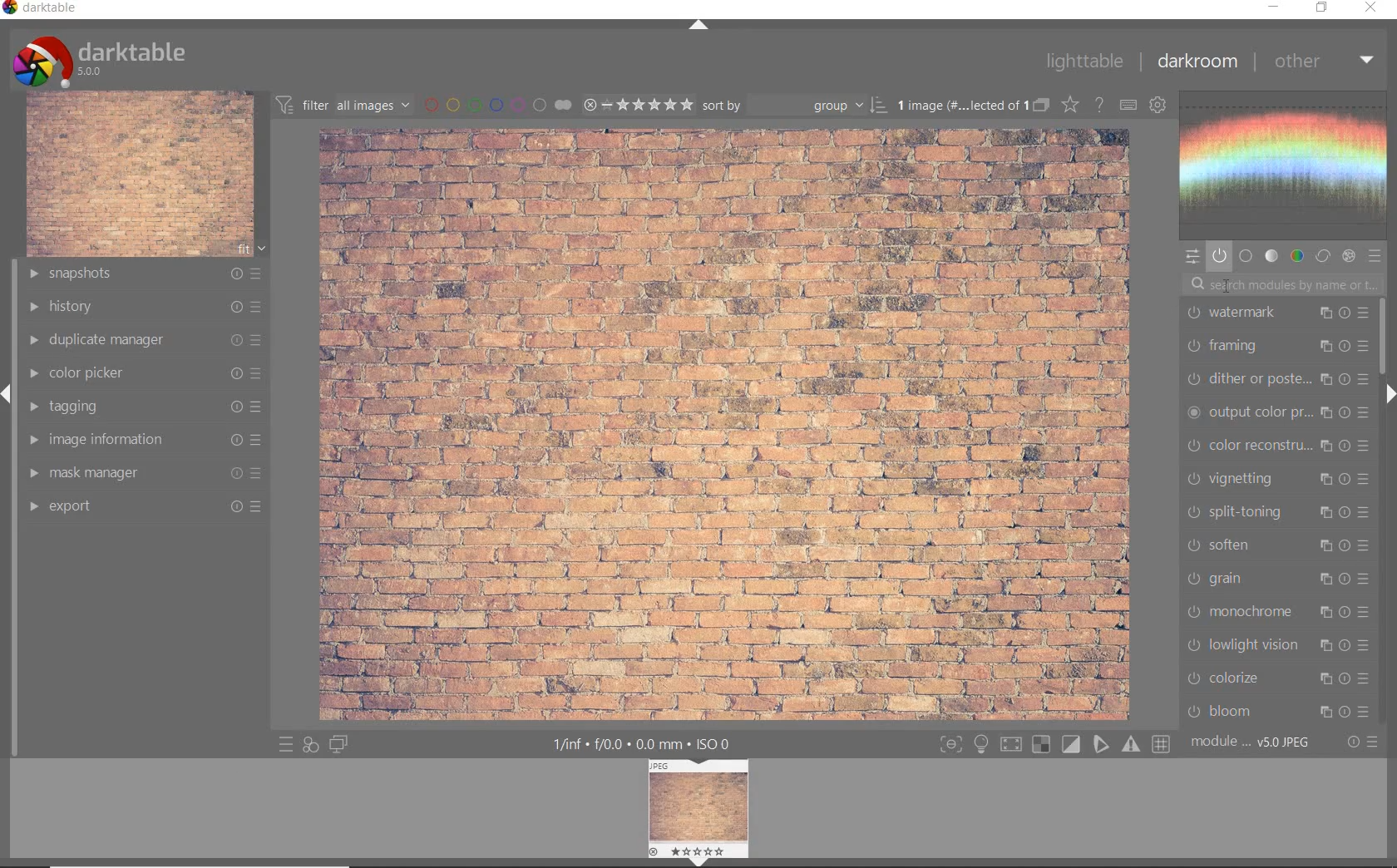  Describe the element at coordinates (1281, 581) in the screenshot. I see `grain` at that location.